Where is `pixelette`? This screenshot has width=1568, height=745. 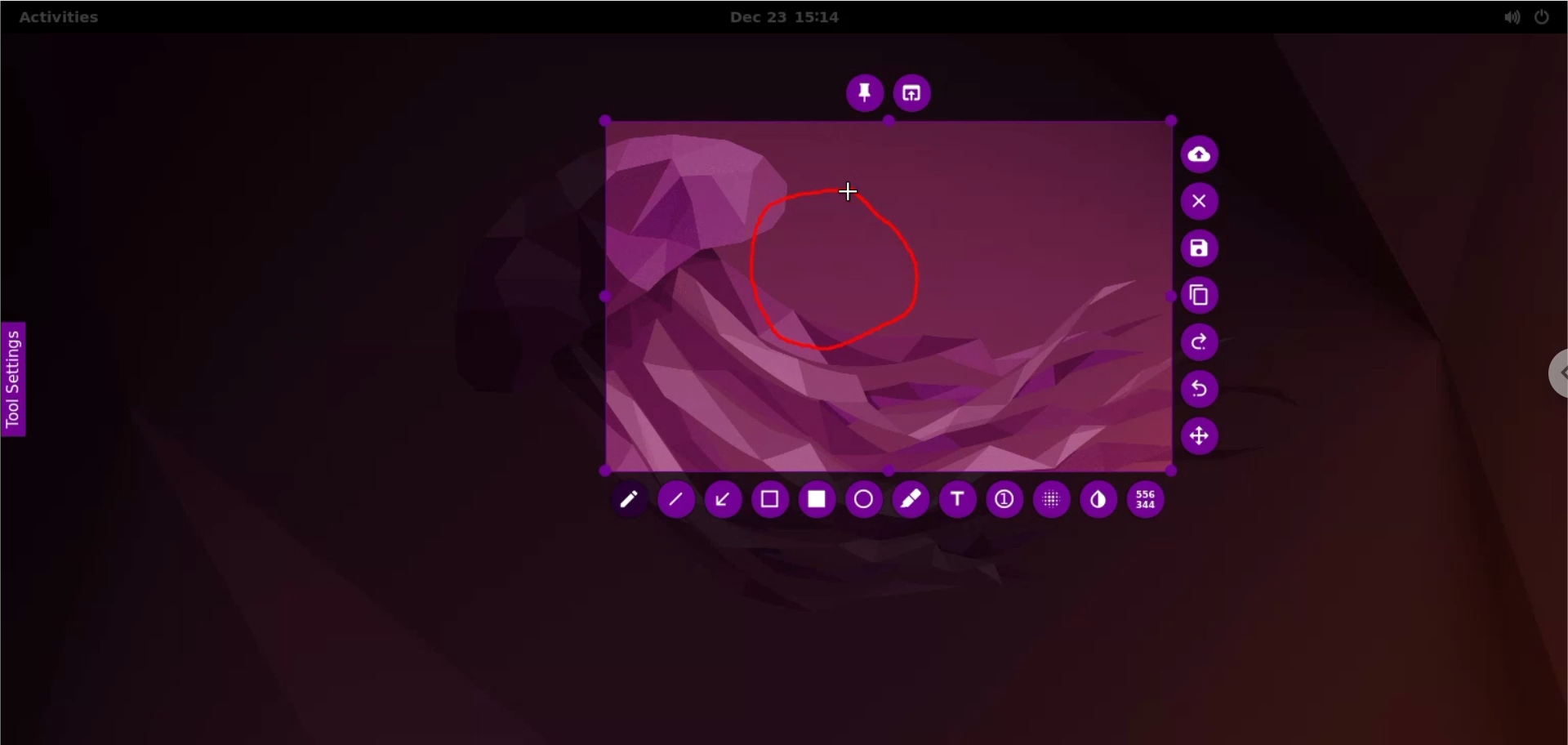
pixelette is located at coordinates (1053, 502).